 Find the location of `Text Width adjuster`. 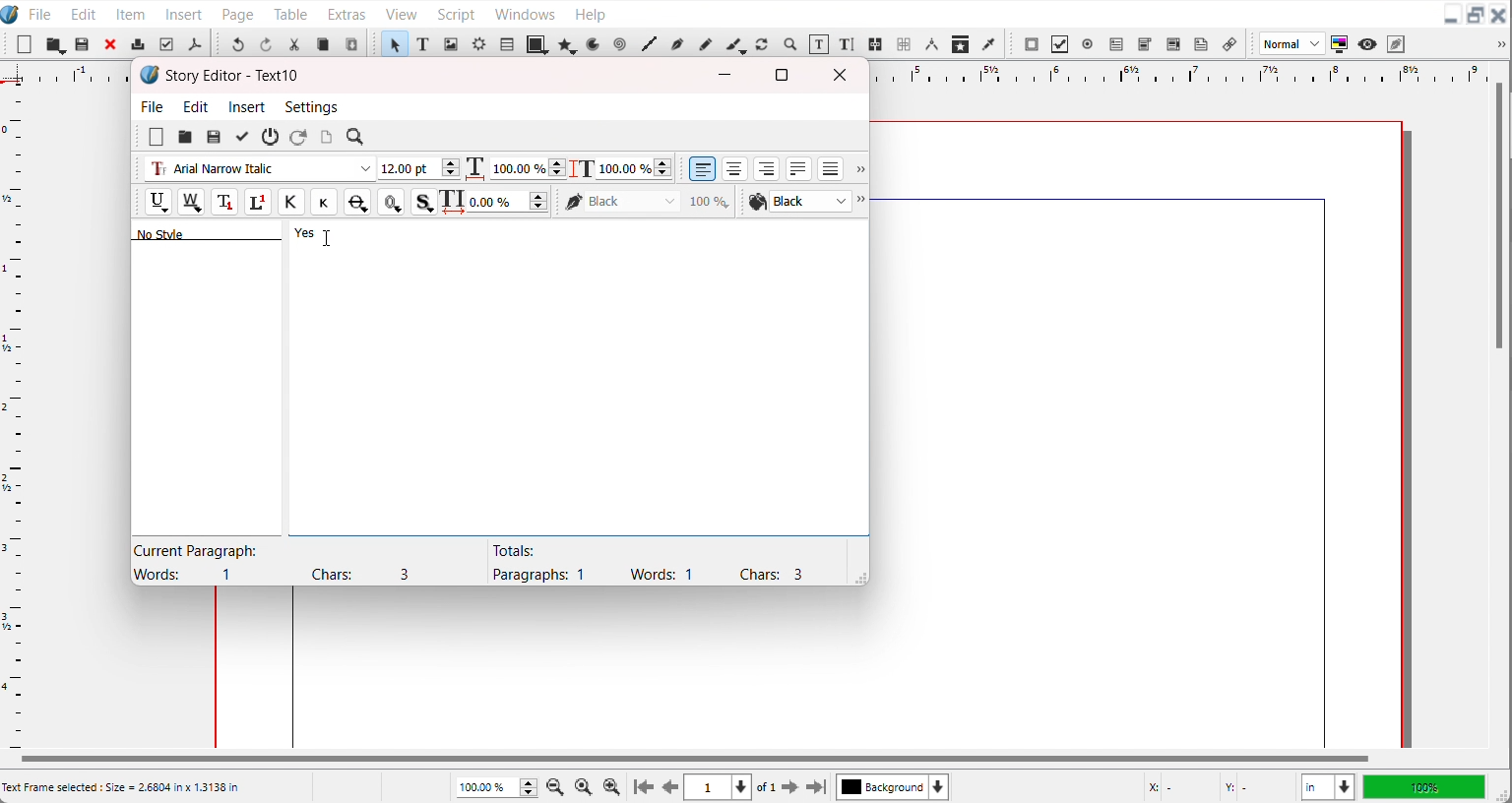

Text Width adjuster is located at coordinates (509, 202).